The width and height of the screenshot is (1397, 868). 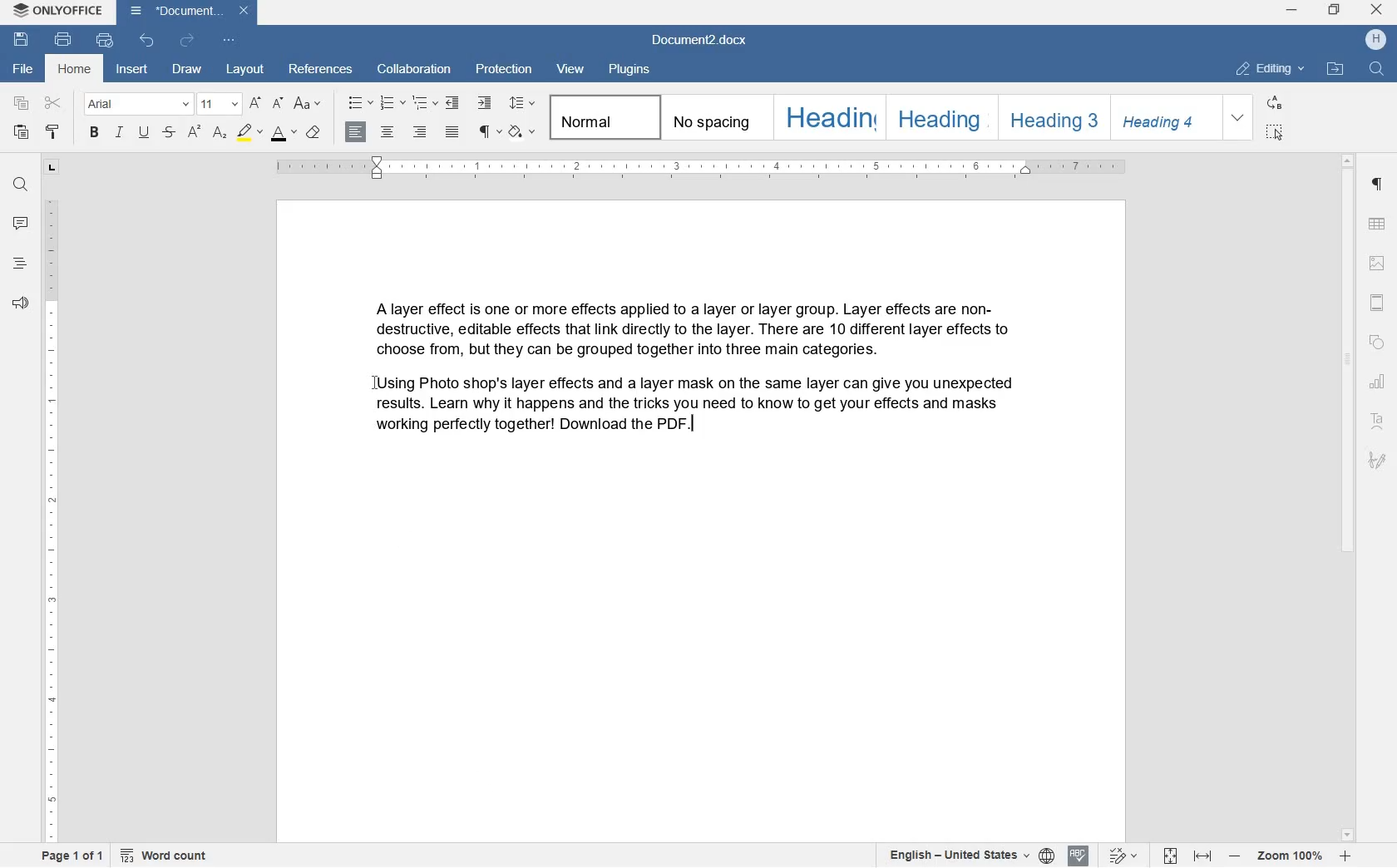 What do you see at coordinates (1335, 71) in the screenshot?
I see `OPEN FILE LOCATION` at bounding box center [1335, 71].